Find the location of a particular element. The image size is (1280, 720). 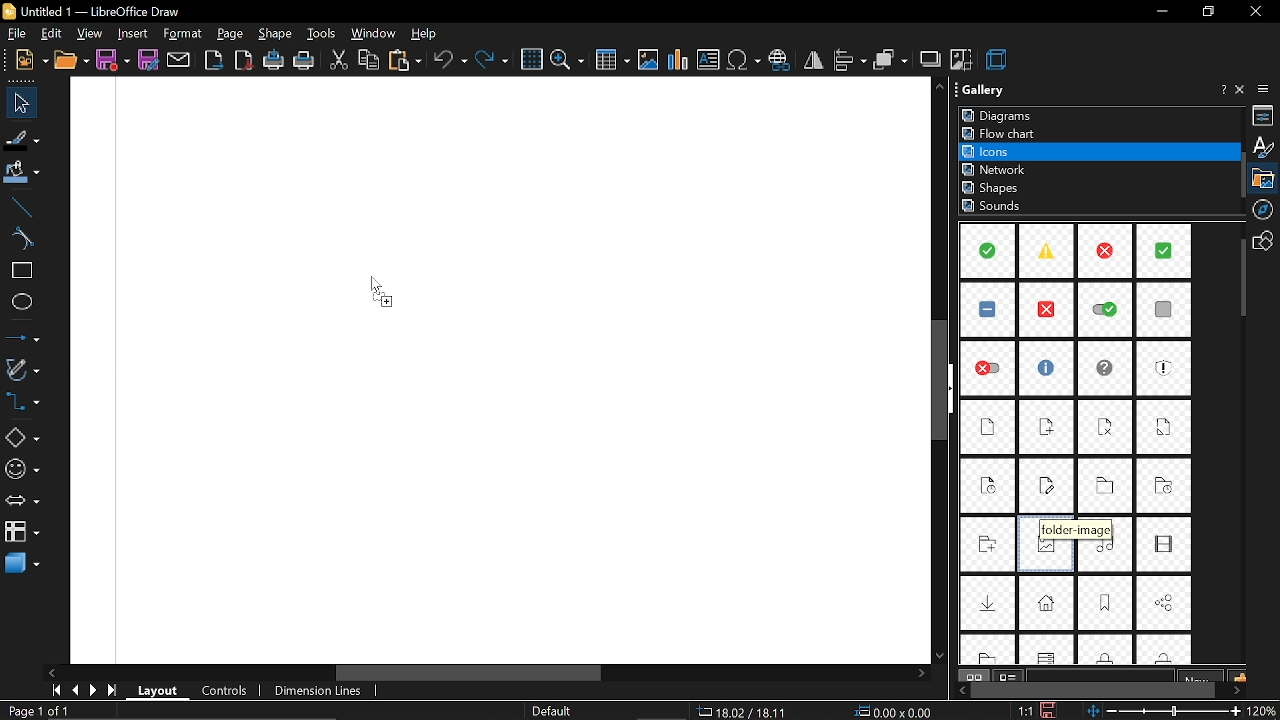

align is located at coordinates (849, 60).